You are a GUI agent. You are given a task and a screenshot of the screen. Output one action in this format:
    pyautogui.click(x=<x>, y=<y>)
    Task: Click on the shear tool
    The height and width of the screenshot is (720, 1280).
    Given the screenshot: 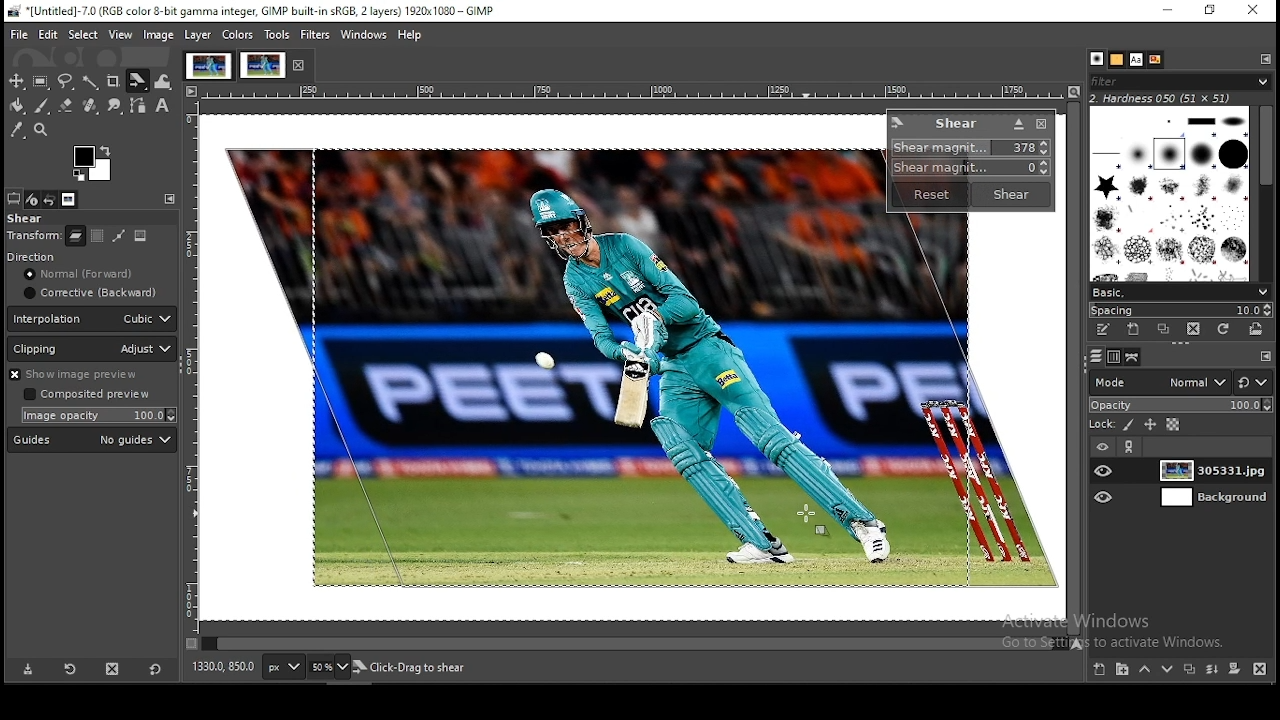 What is the action you would take?
    pyautogui.click(x=138, y=80)
    